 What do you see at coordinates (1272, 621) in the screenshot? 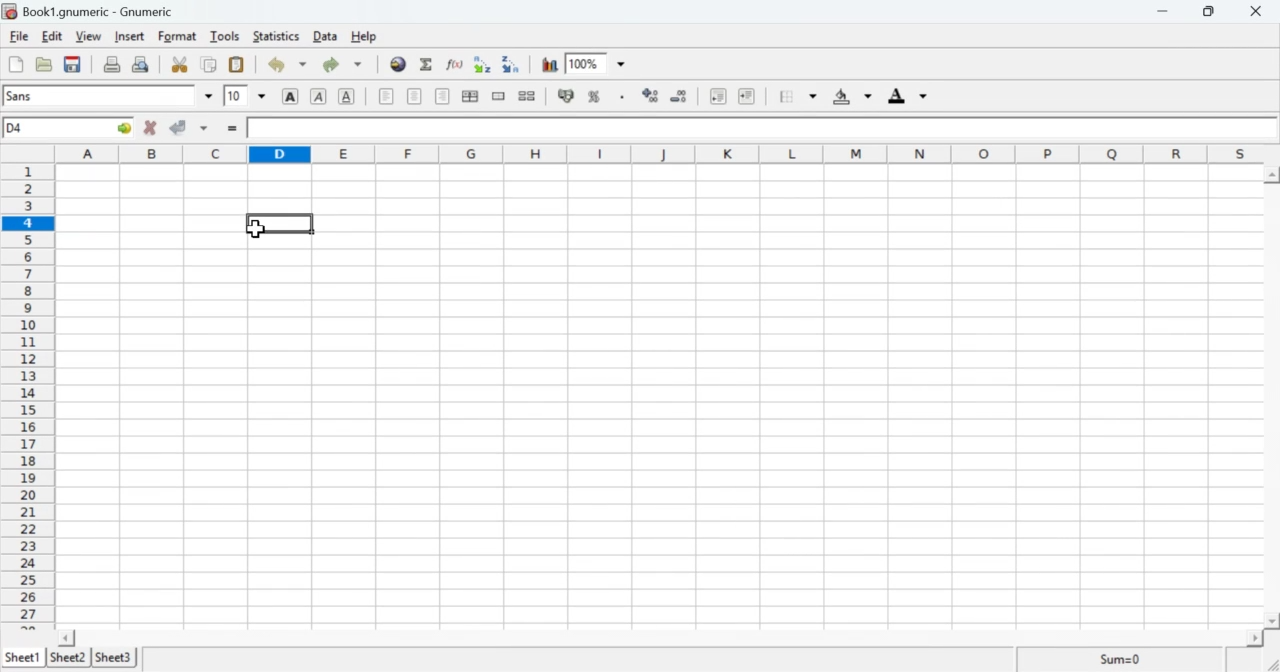
I see `scroll down` at bounding box center [1272, 621].